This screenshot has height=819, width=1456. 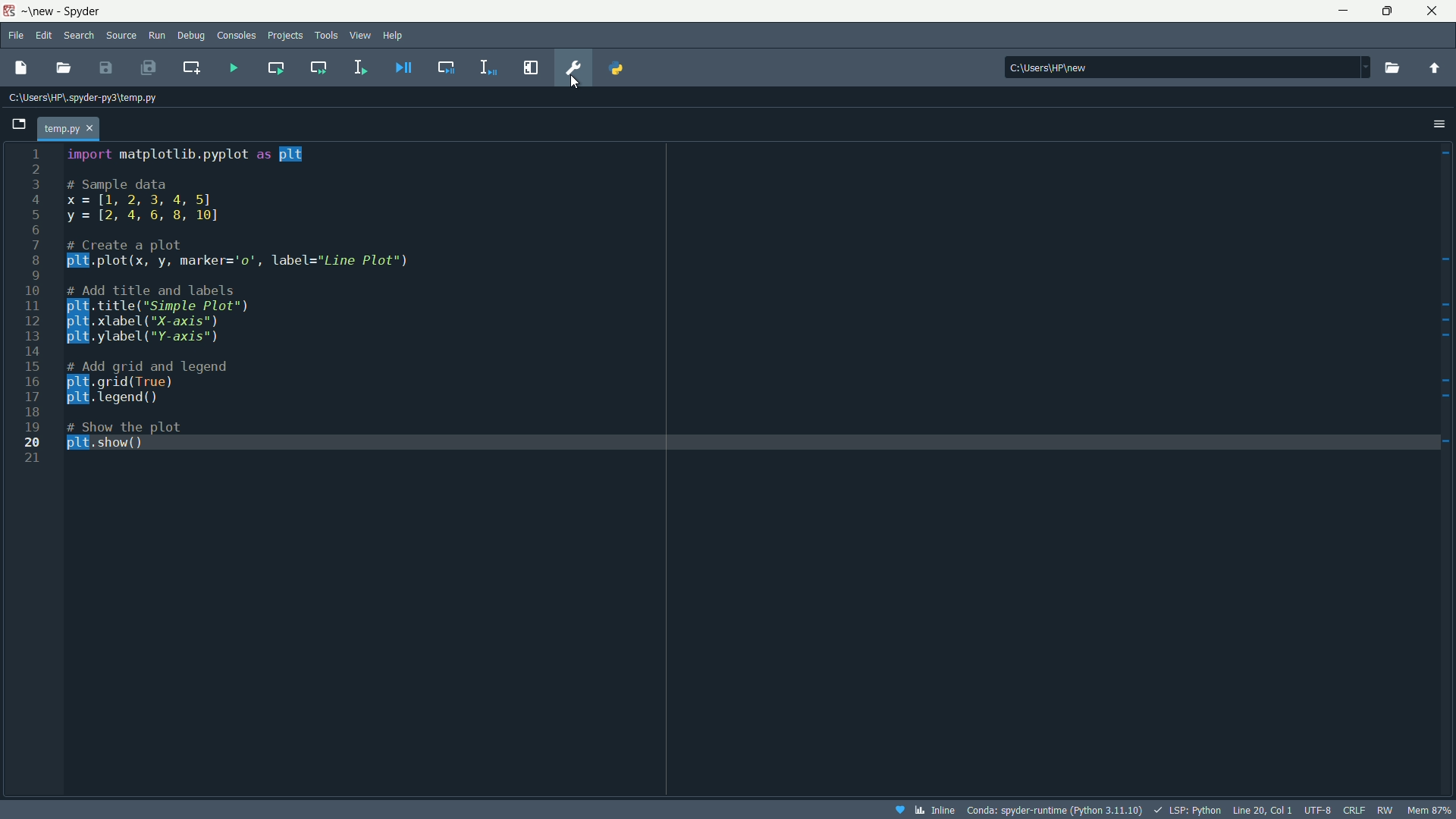 I want to click on run current cell, so click(x=275, y=67).